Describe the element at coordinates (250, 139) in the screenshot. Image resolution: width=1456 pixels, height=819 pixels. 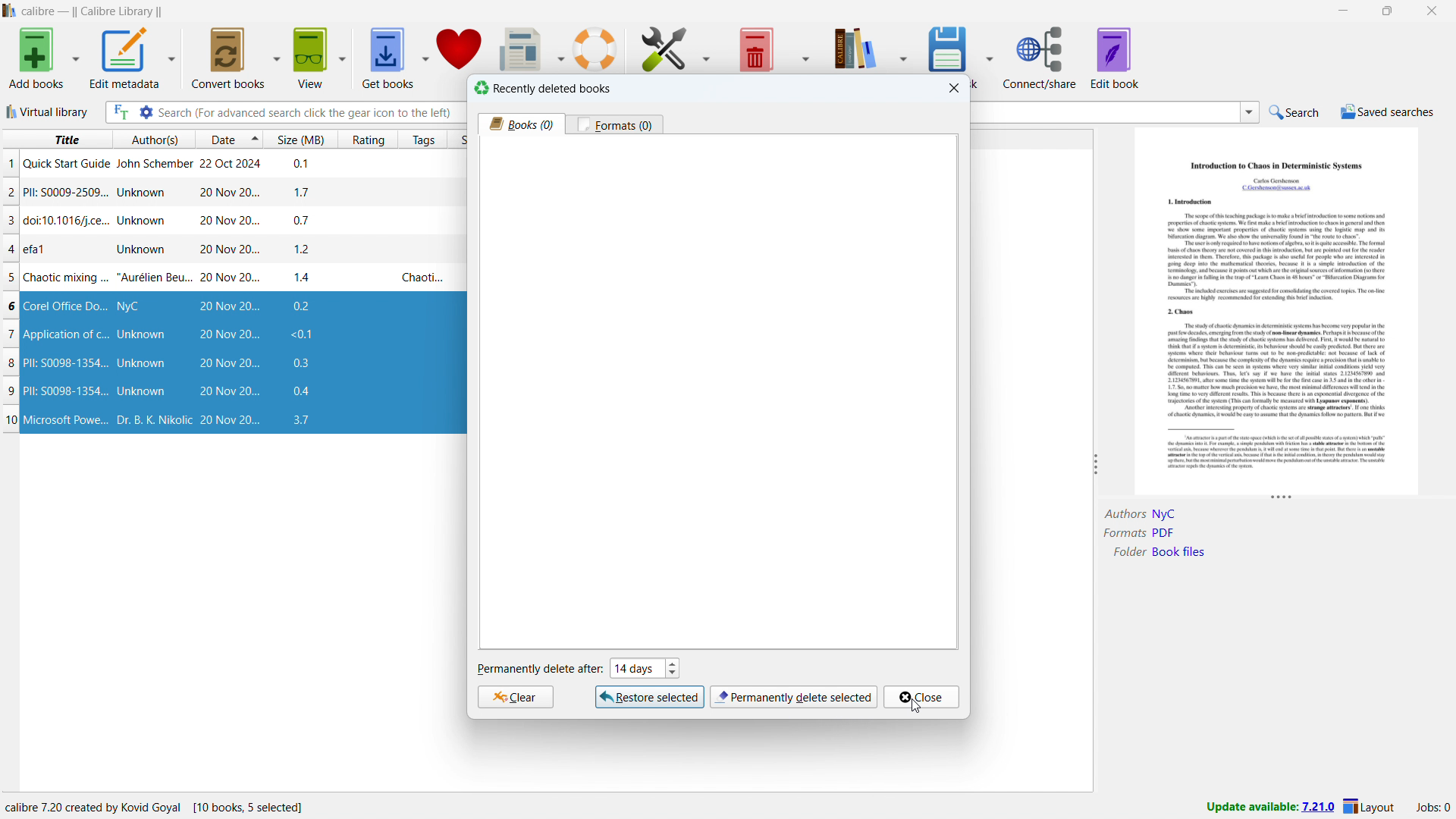
I see `select sorting order` at that location.